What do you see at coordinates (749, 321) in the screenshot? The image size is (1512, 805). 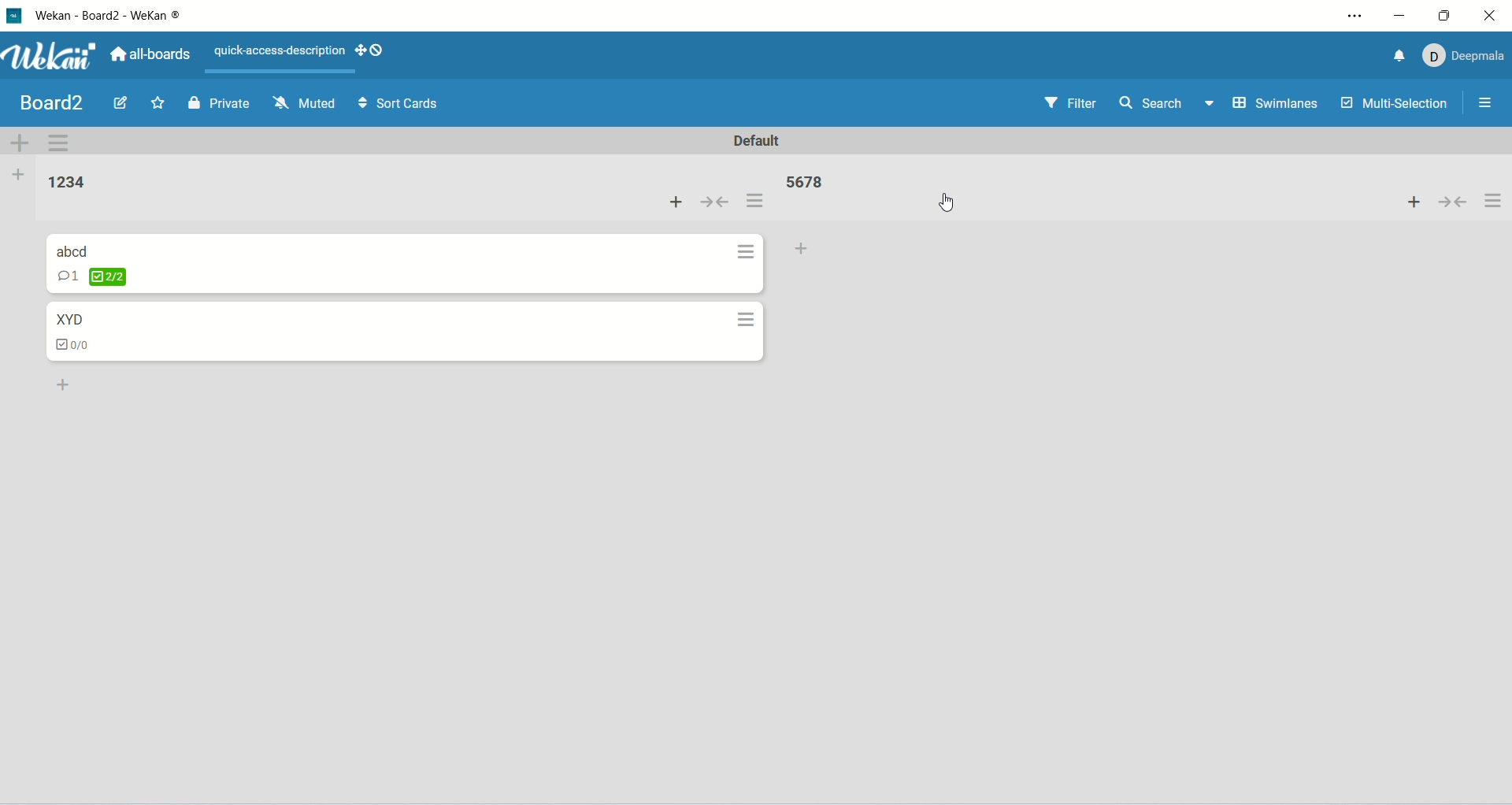 I see `options` at bounding box center [749, 321].